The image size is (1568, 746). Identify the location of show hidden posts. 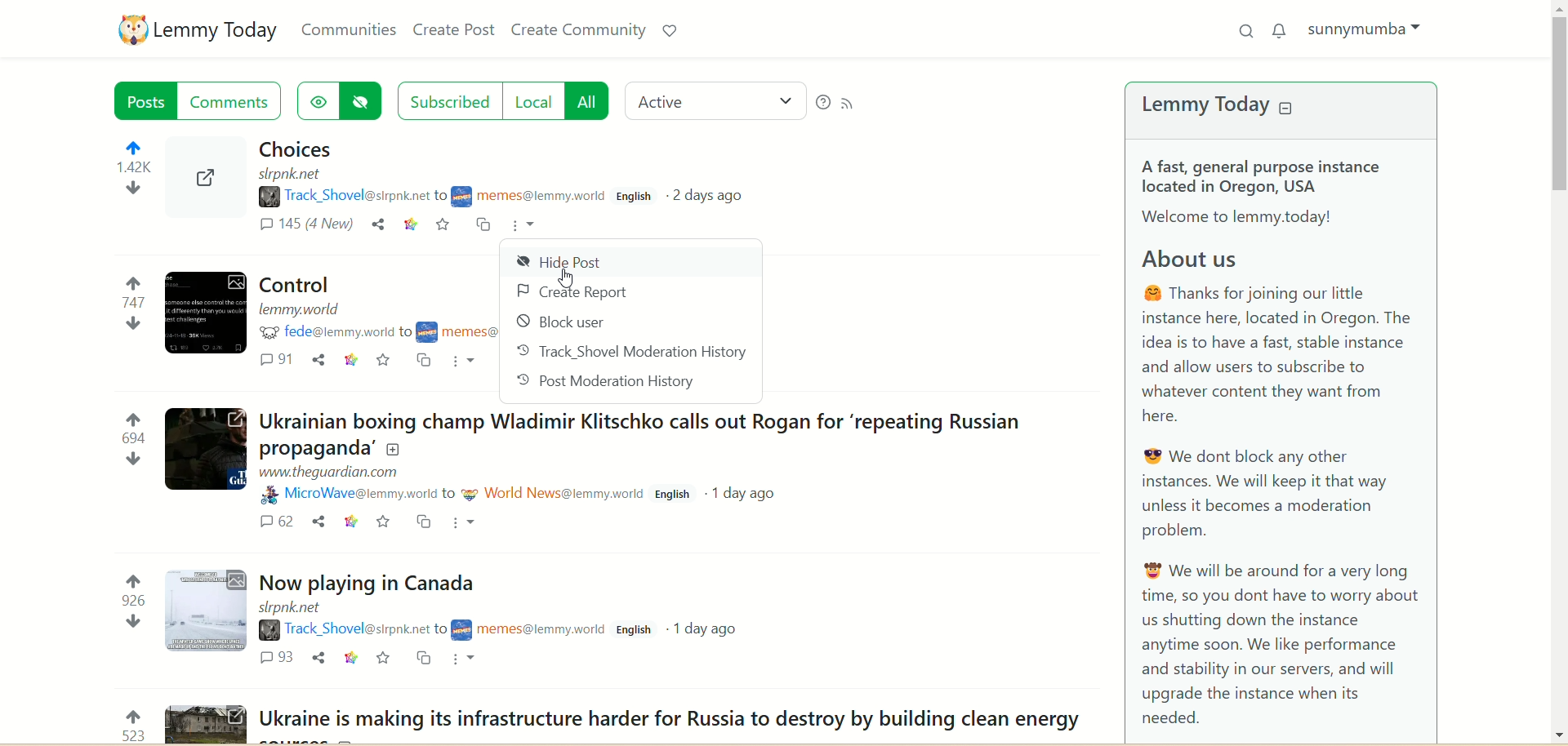
(315, 102).